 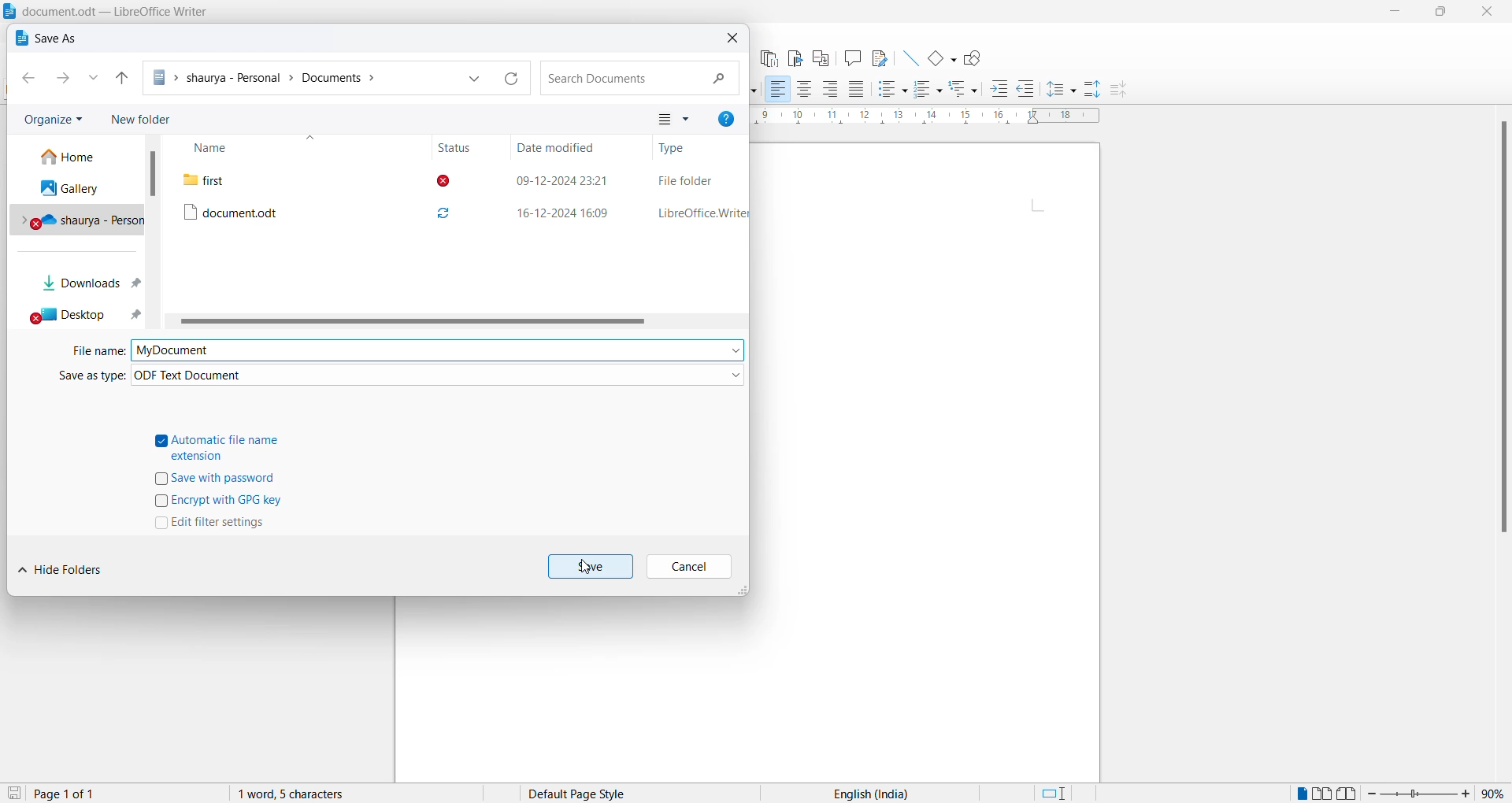 What do you see at coordinates (1419, 794) in the screenshot?
I see `Zoom slider` at bounding box center [1419, 794].